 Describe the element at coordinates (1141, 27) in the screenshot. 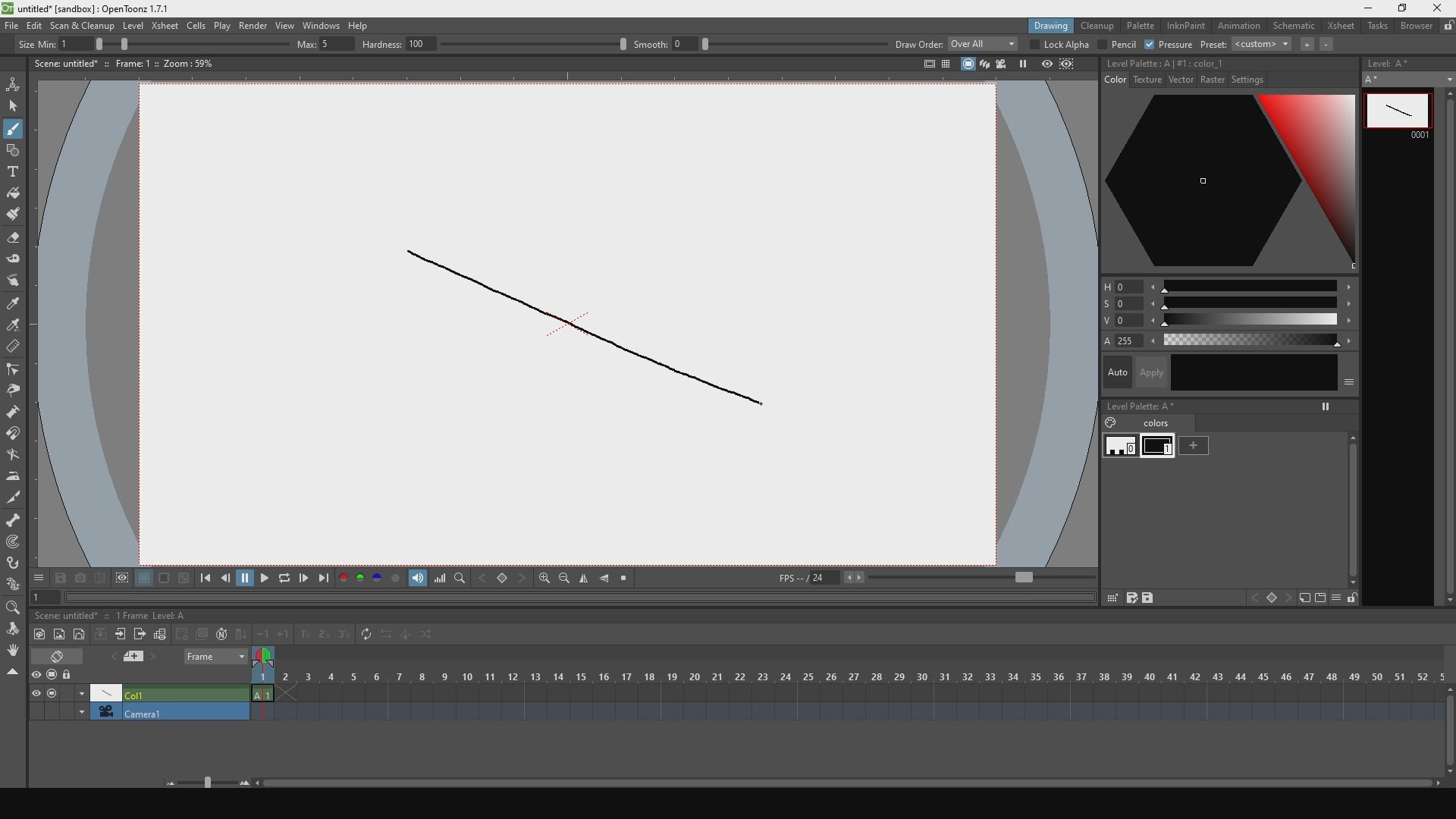

I see `palette` at that location.